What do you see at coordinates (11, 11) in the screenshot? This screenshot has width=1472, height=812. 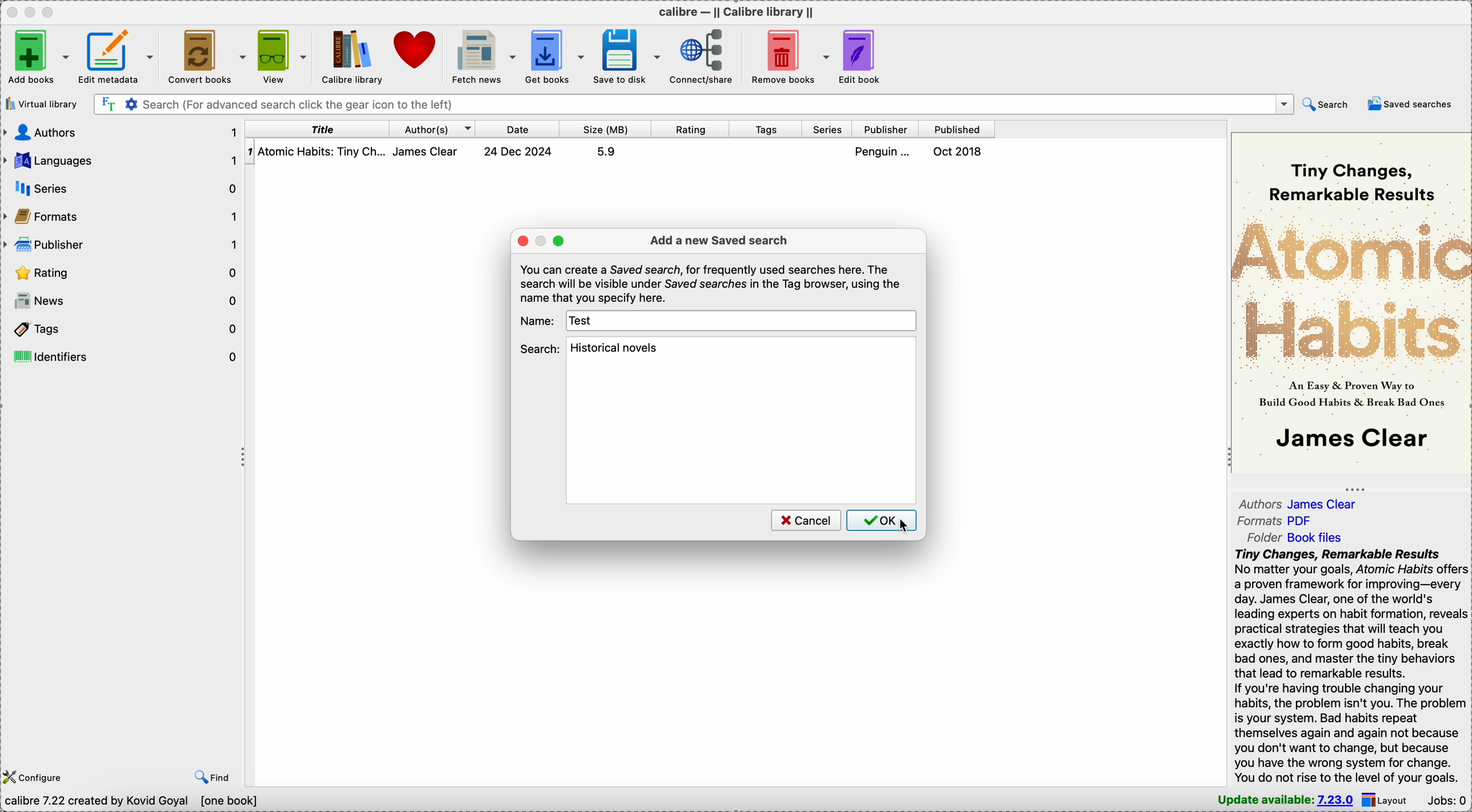 I see `close` at bounding box center [11, 11].